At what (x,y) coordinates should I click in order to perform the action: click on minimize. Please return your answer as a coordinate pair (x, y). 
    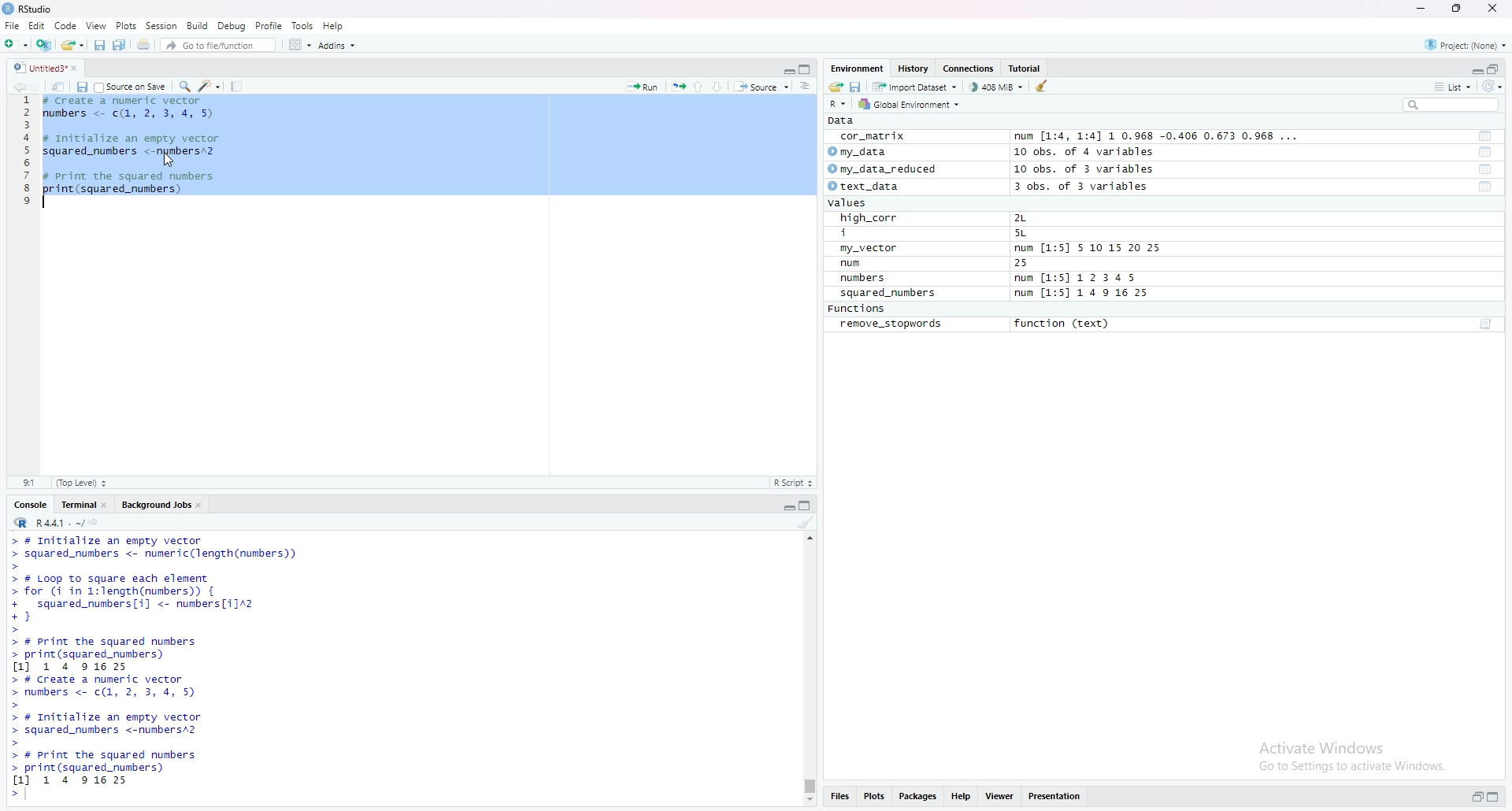
    Looking at the image, I should click on (787, 68).